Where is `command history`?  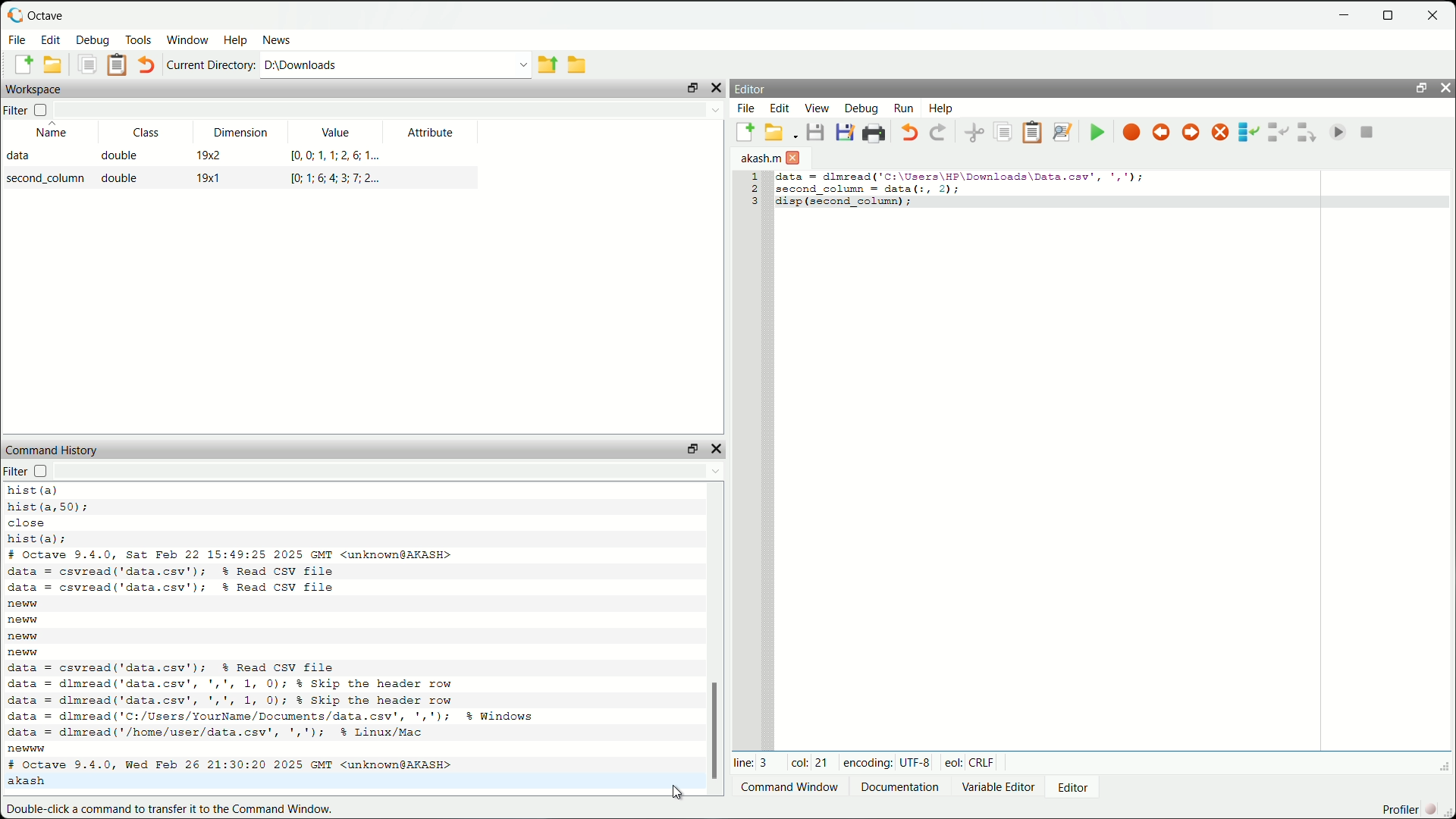 command history is located at coordinates (49, 447).